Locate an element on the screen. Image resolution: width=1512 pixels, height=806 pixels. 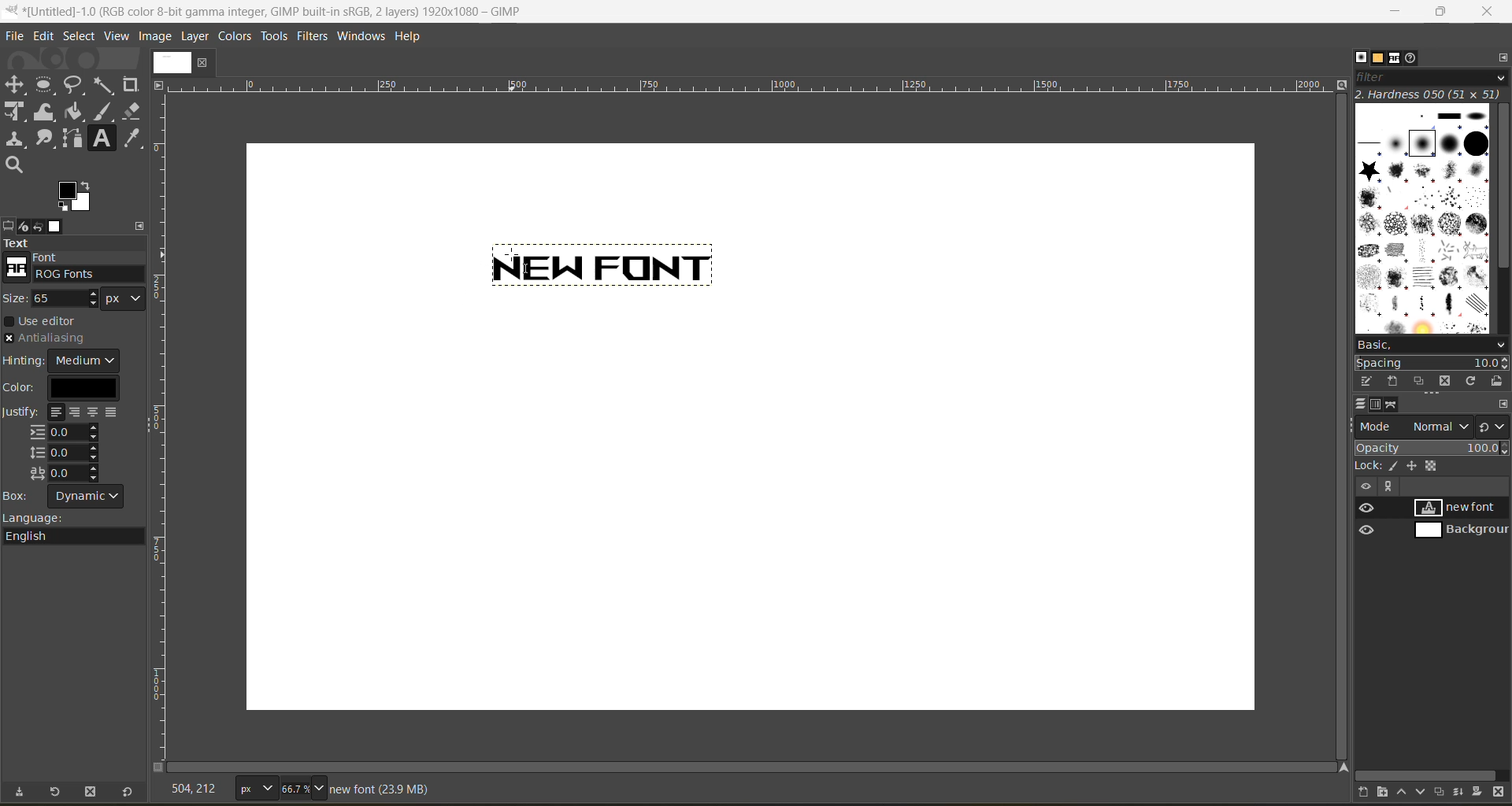
spacing is located at coordinates (1431, 361).